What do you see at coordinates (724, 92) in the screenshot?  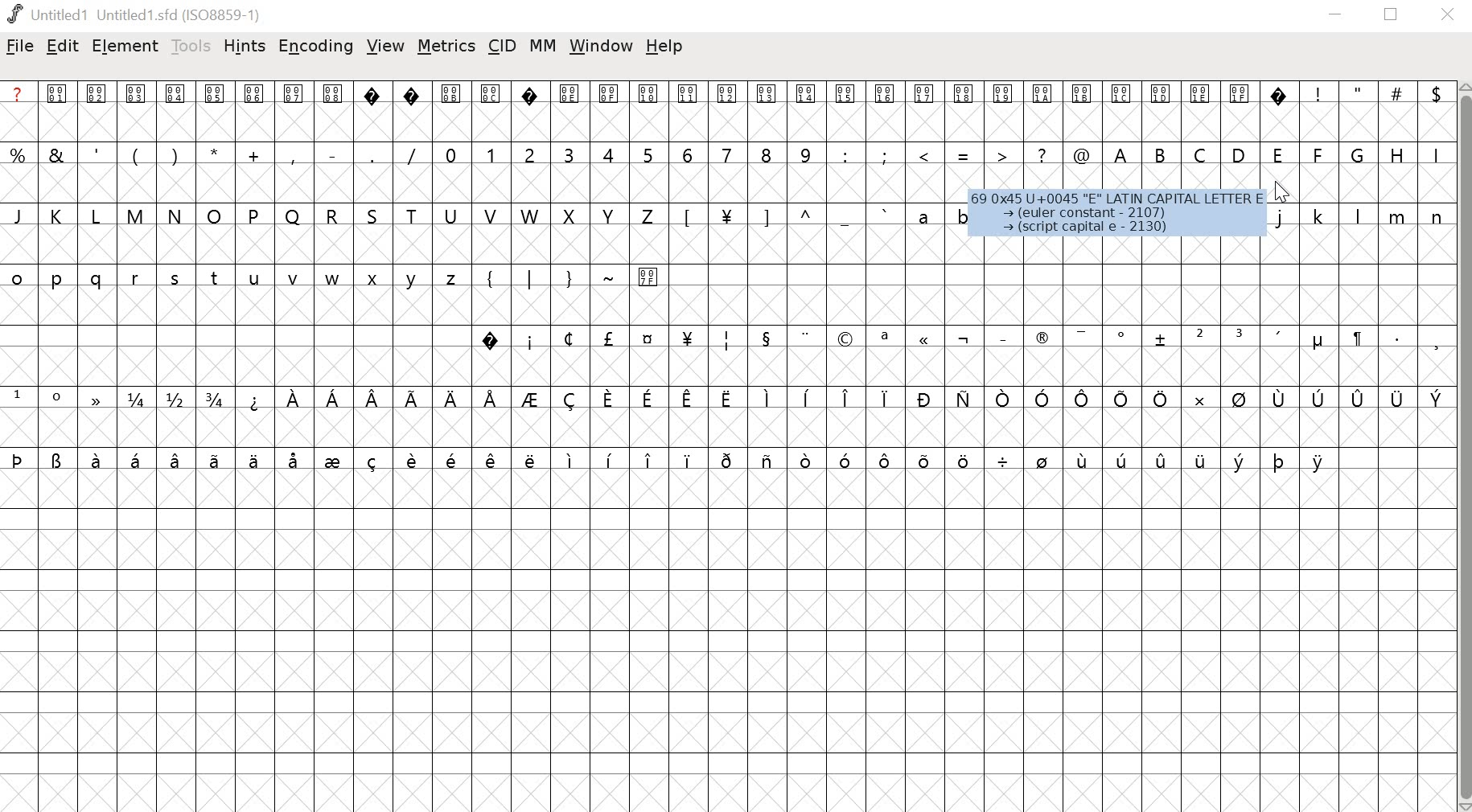 I see `special characters and symbols` at bounding box center [724, 92].